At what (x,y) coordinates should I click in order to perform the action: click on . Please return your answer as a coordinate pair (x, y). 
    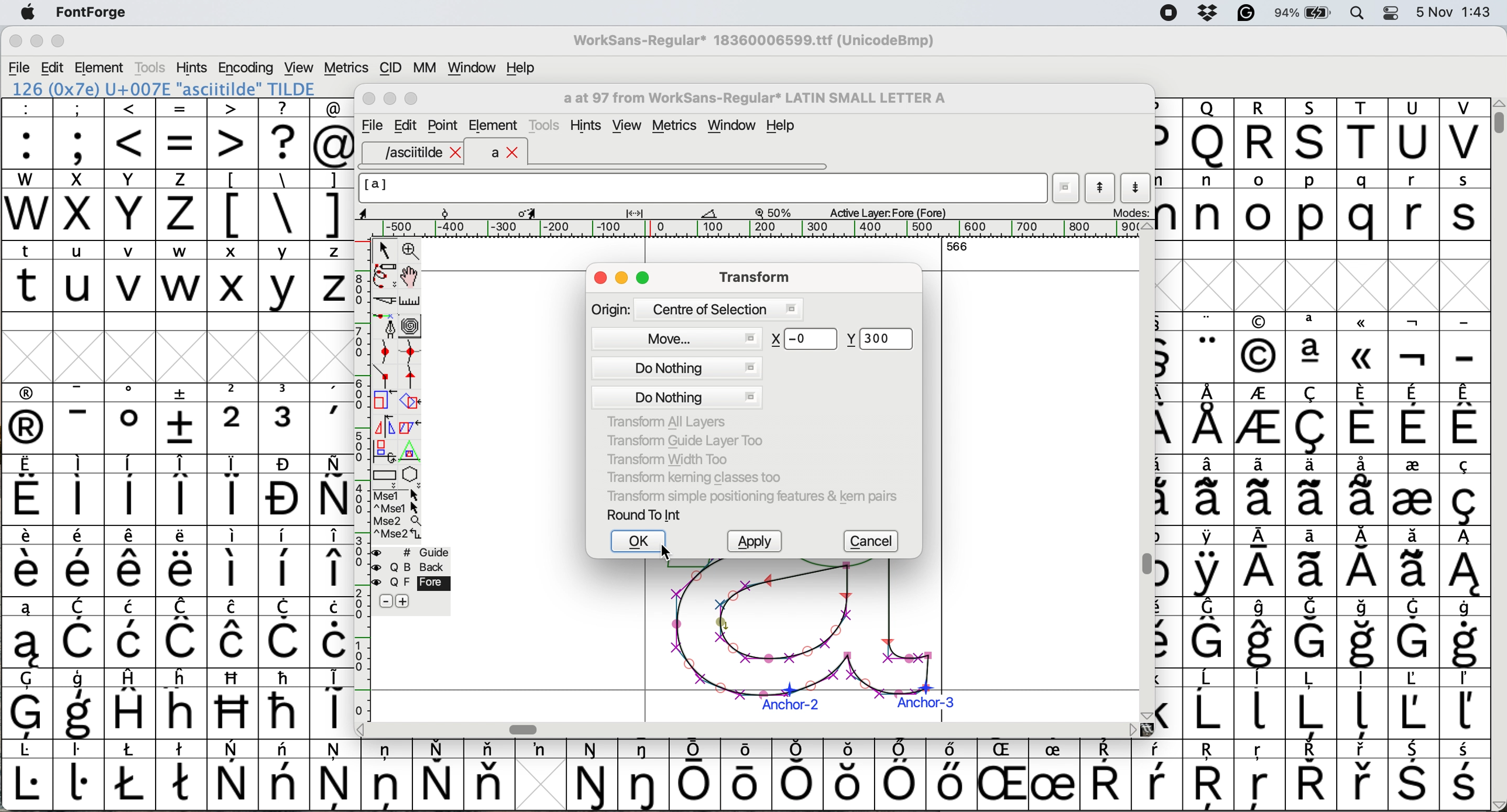
    Looking at the image, I should click on (1211, 776).